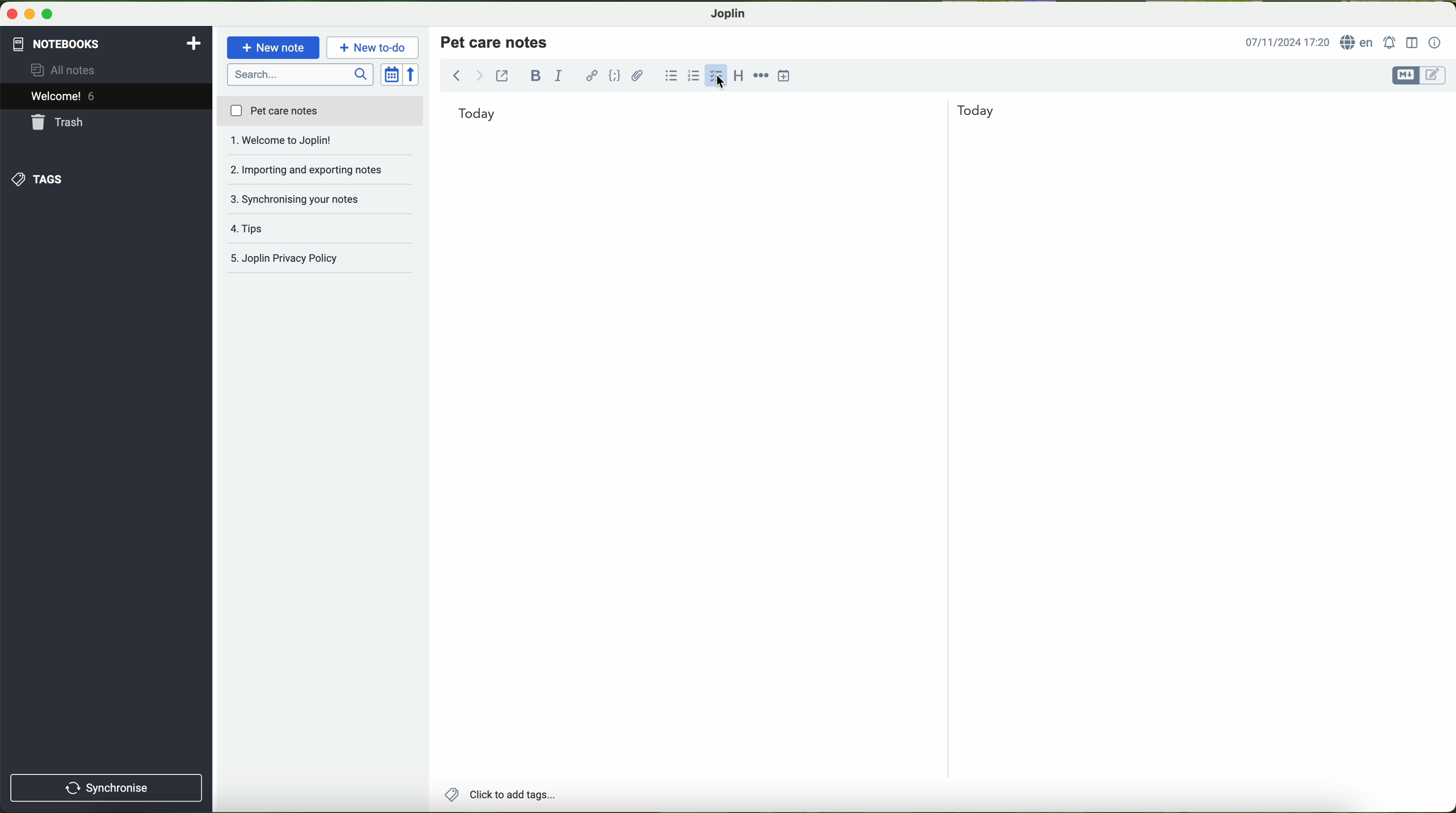 The height and width of the screenshot is (813, 1456). Describe the element at coordinates (718, 76) in the screenshot. I see `cursor on checkbox option` at that location.